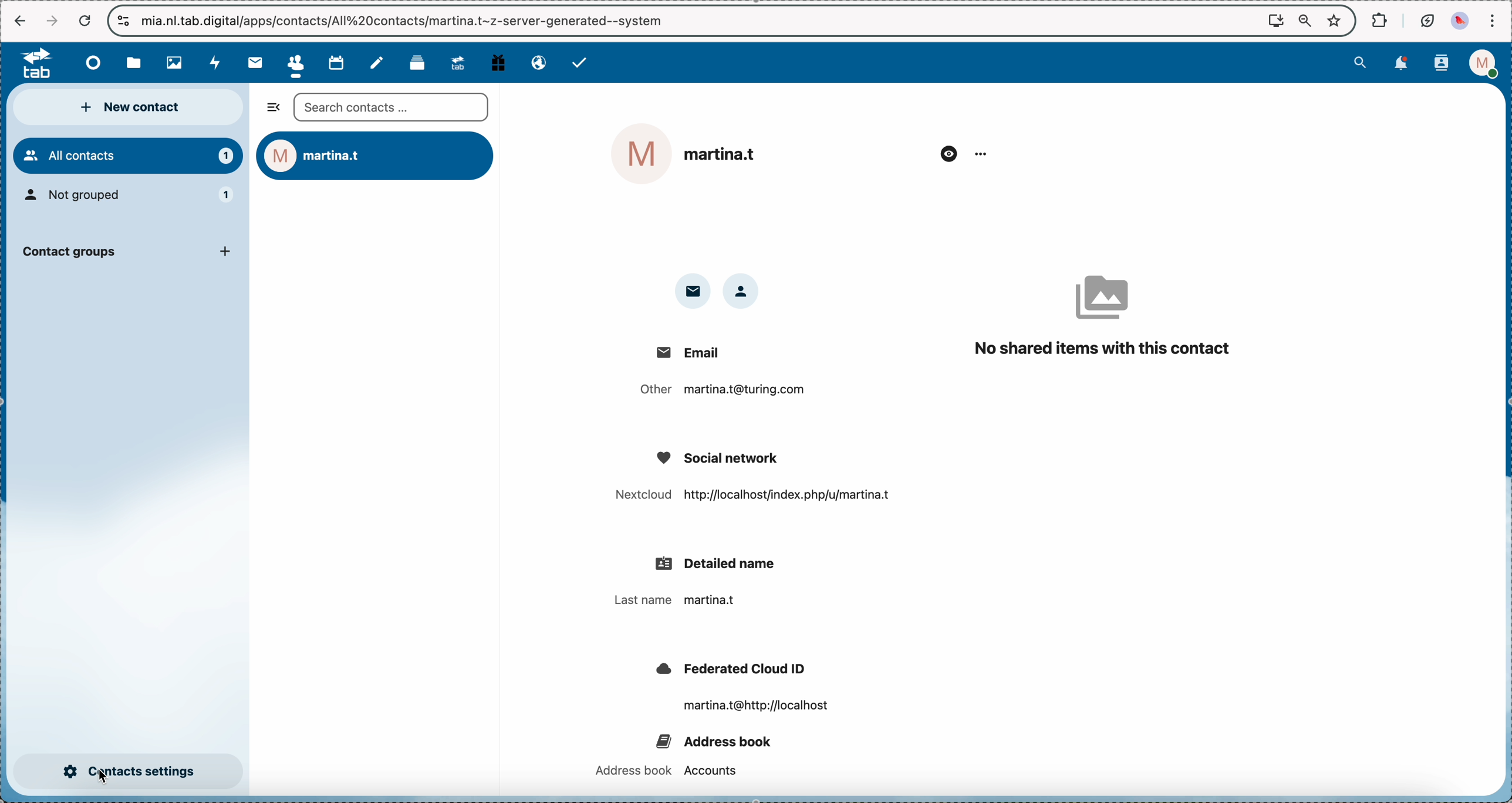 This screenshot has height=803, width=1512. I want to click on controls, so click(122, 19).